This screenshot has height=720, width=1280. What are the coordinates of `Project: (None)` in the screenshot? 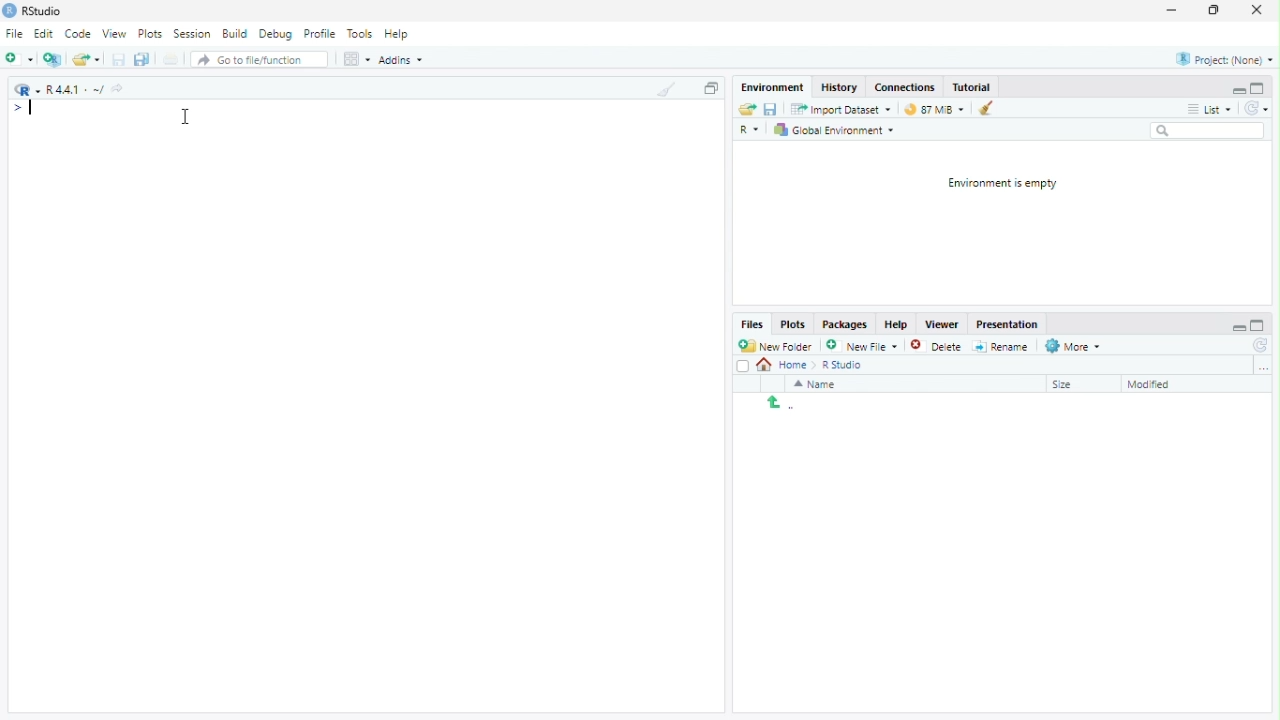 It's located at (1225, 59).